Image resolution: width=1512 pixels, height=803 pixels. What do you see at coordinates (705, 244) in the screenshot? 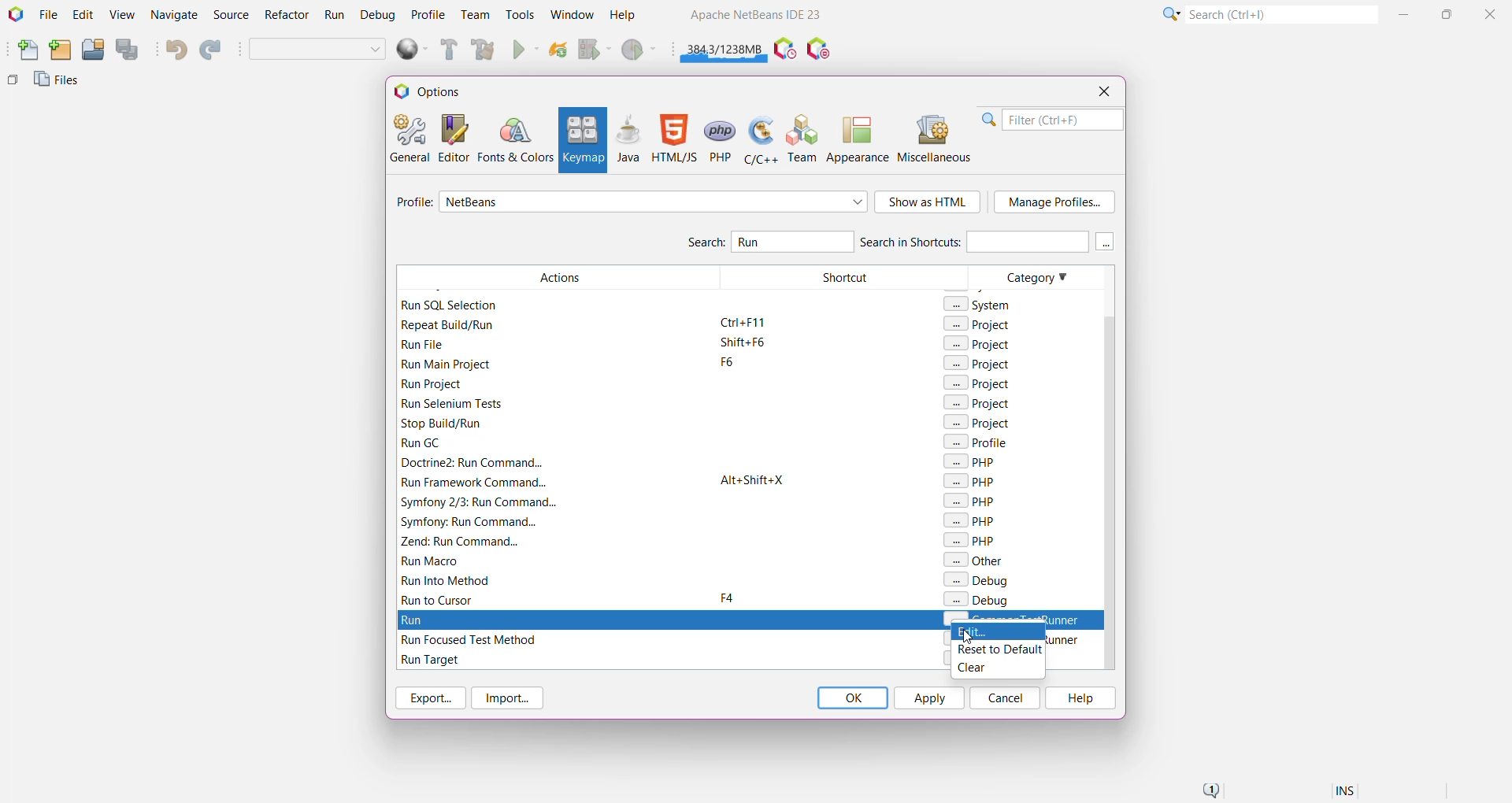
I see `Search` at bounding box center [705, 244].